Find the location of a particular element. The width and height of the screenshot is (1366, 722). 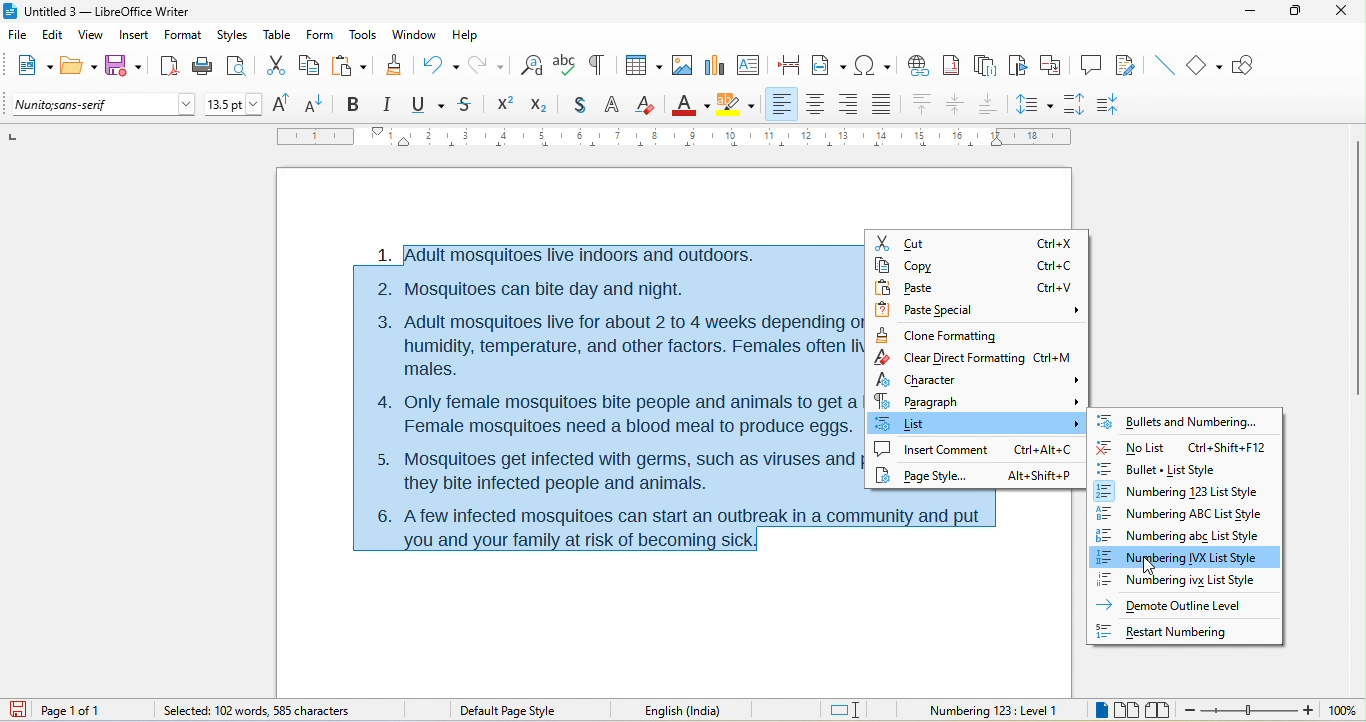

English (India) is located at coordinates (690, 709).